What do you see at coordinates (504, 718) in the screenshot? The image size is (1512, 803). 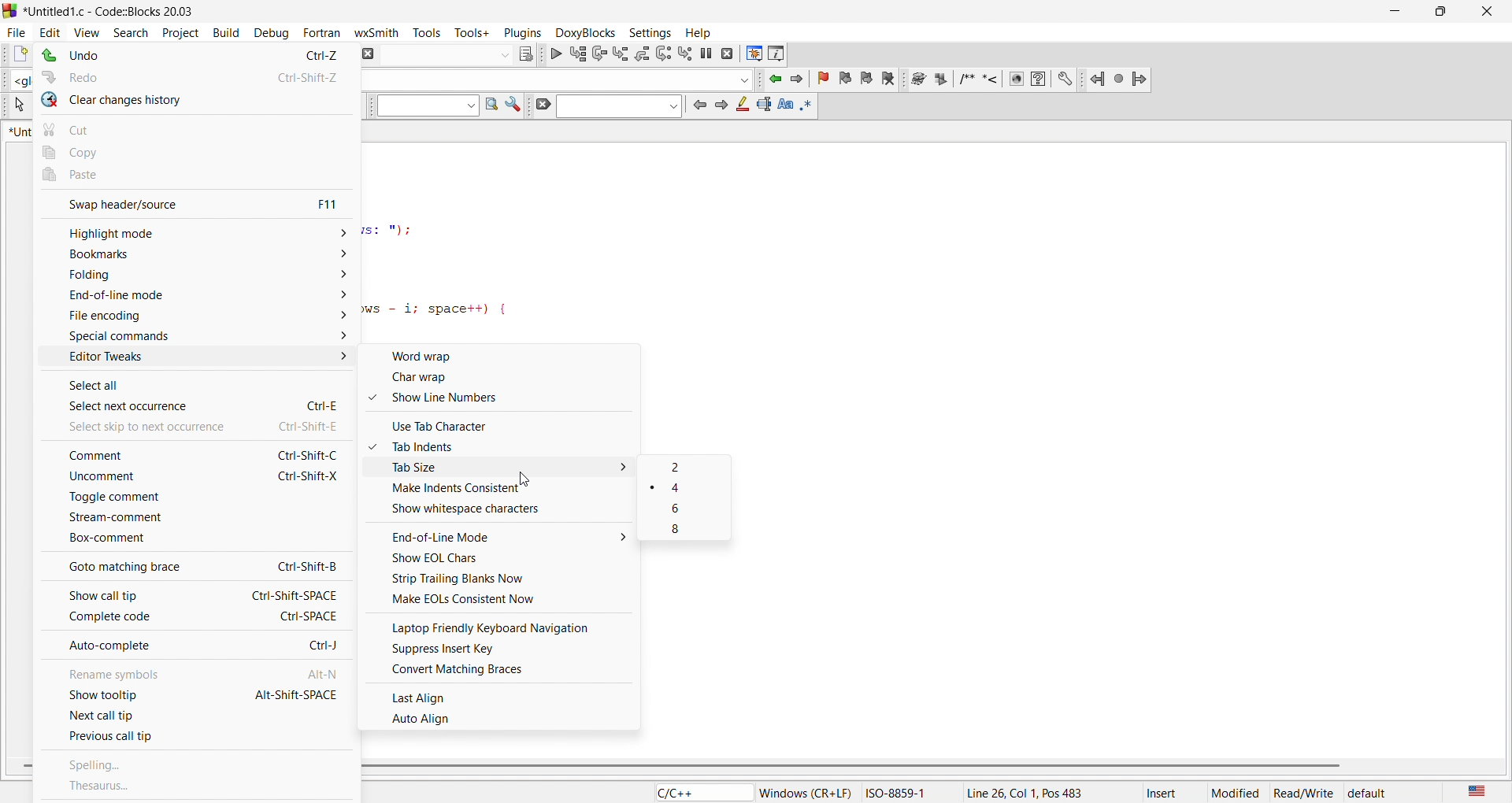 I see `auto align` at bounding box center [504, 718].